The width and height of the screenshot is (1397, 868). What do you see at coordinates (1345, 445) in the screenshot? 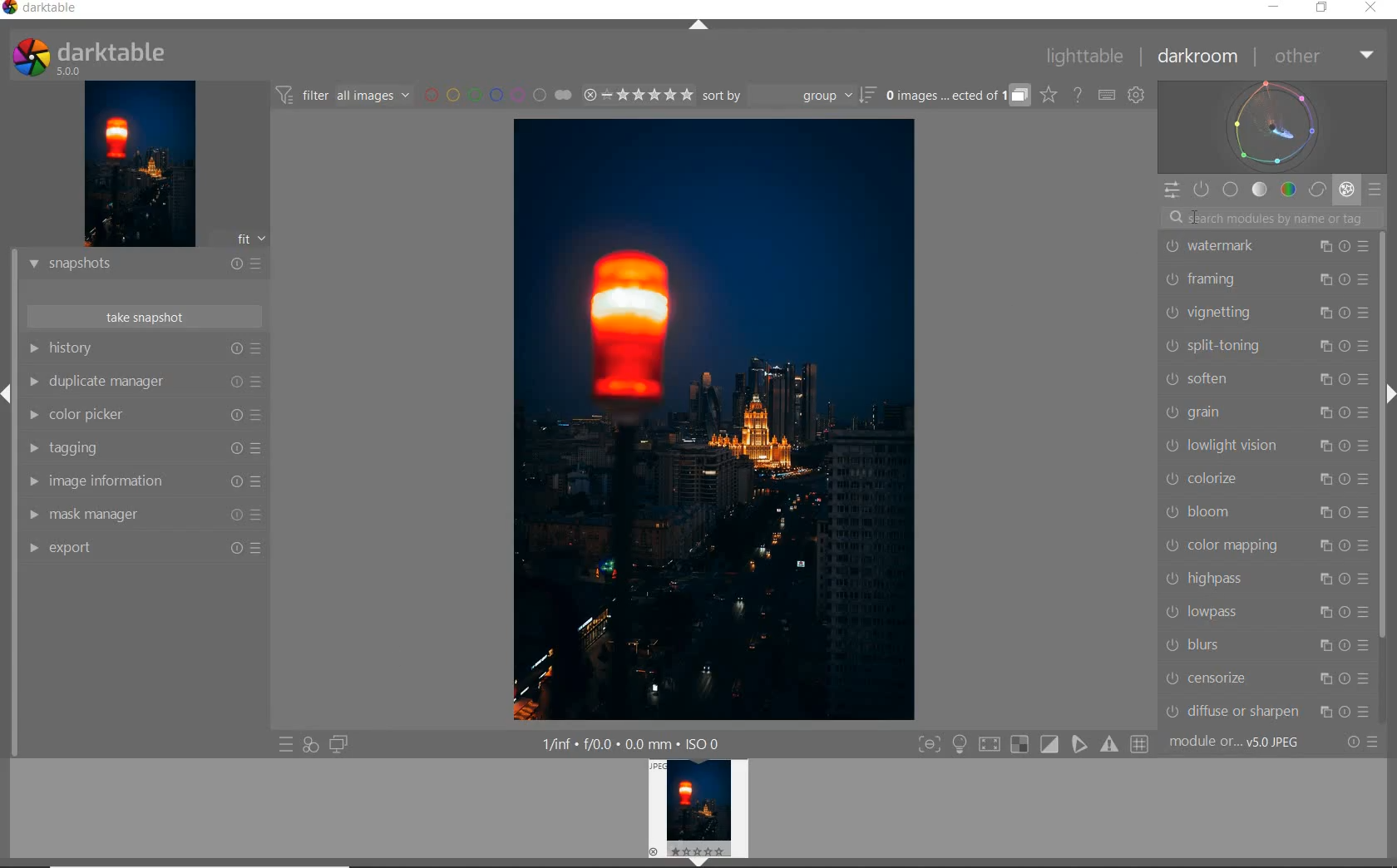
I see `Reset` at bounding box center [1345, 445].